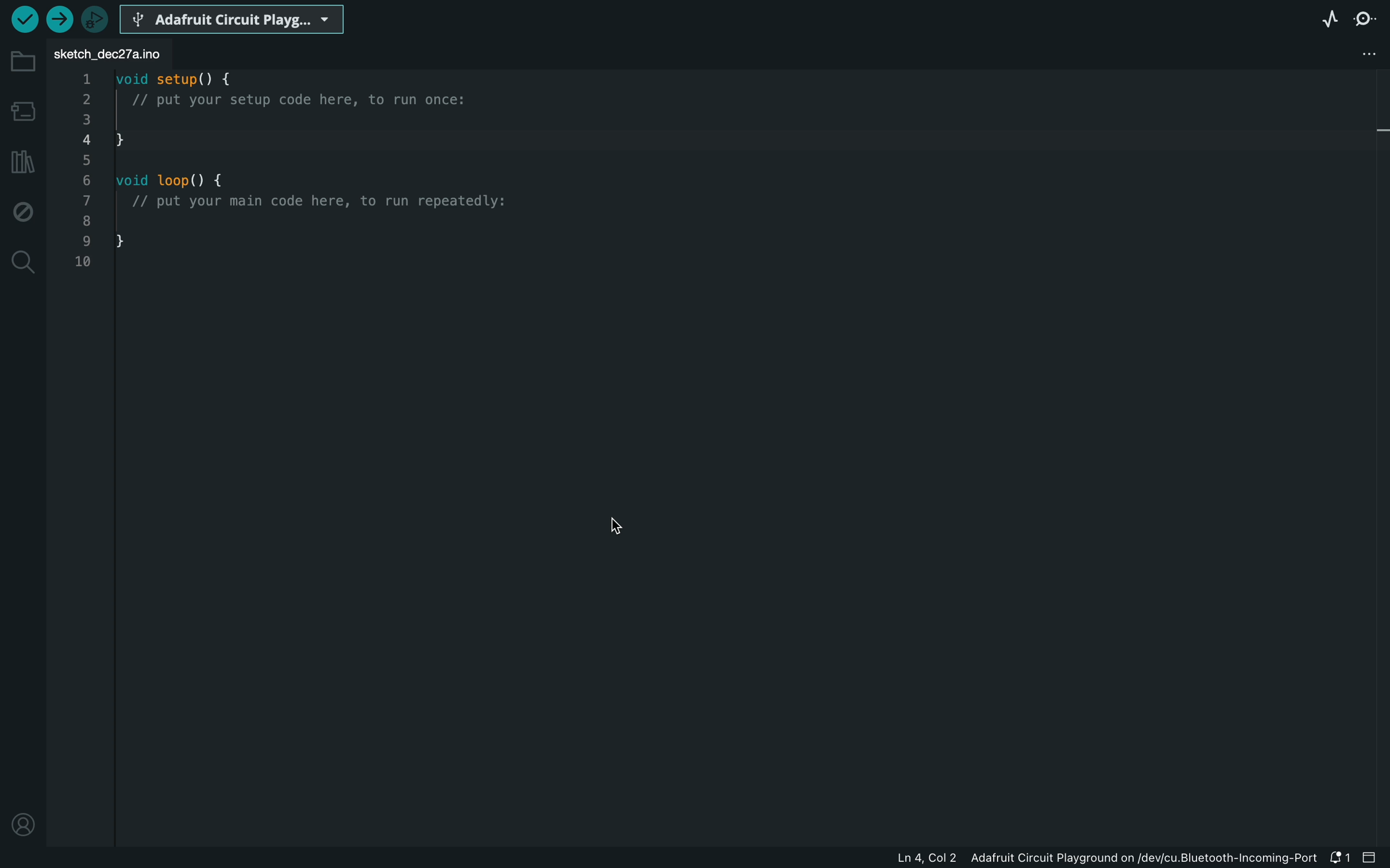 The image size is (1390, 868). Describe the element at coordinates (1338, 857) in the screenshot. I see `notification` at that location.